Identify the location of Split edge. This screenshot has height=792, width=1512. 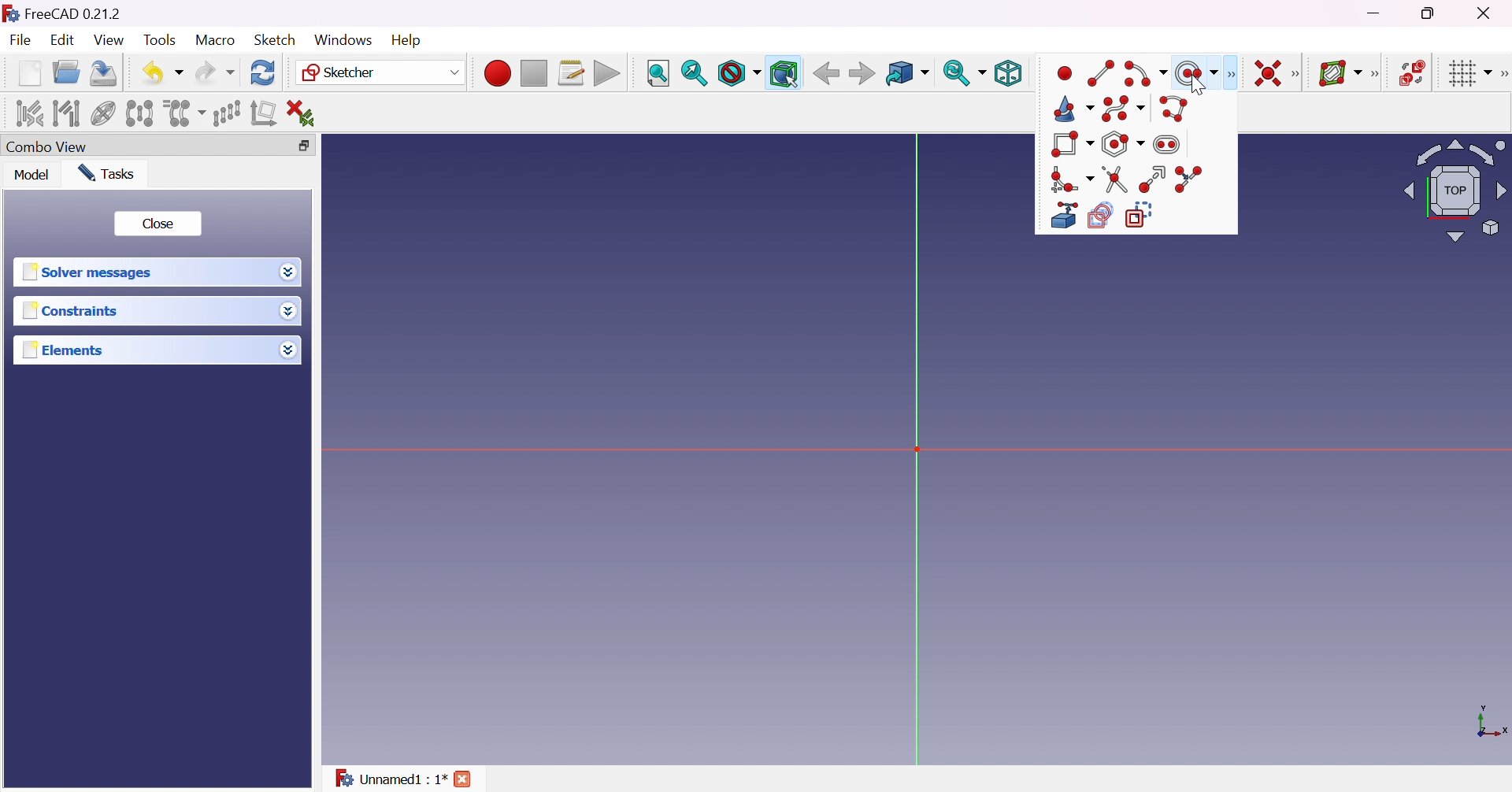
(1190, 180).